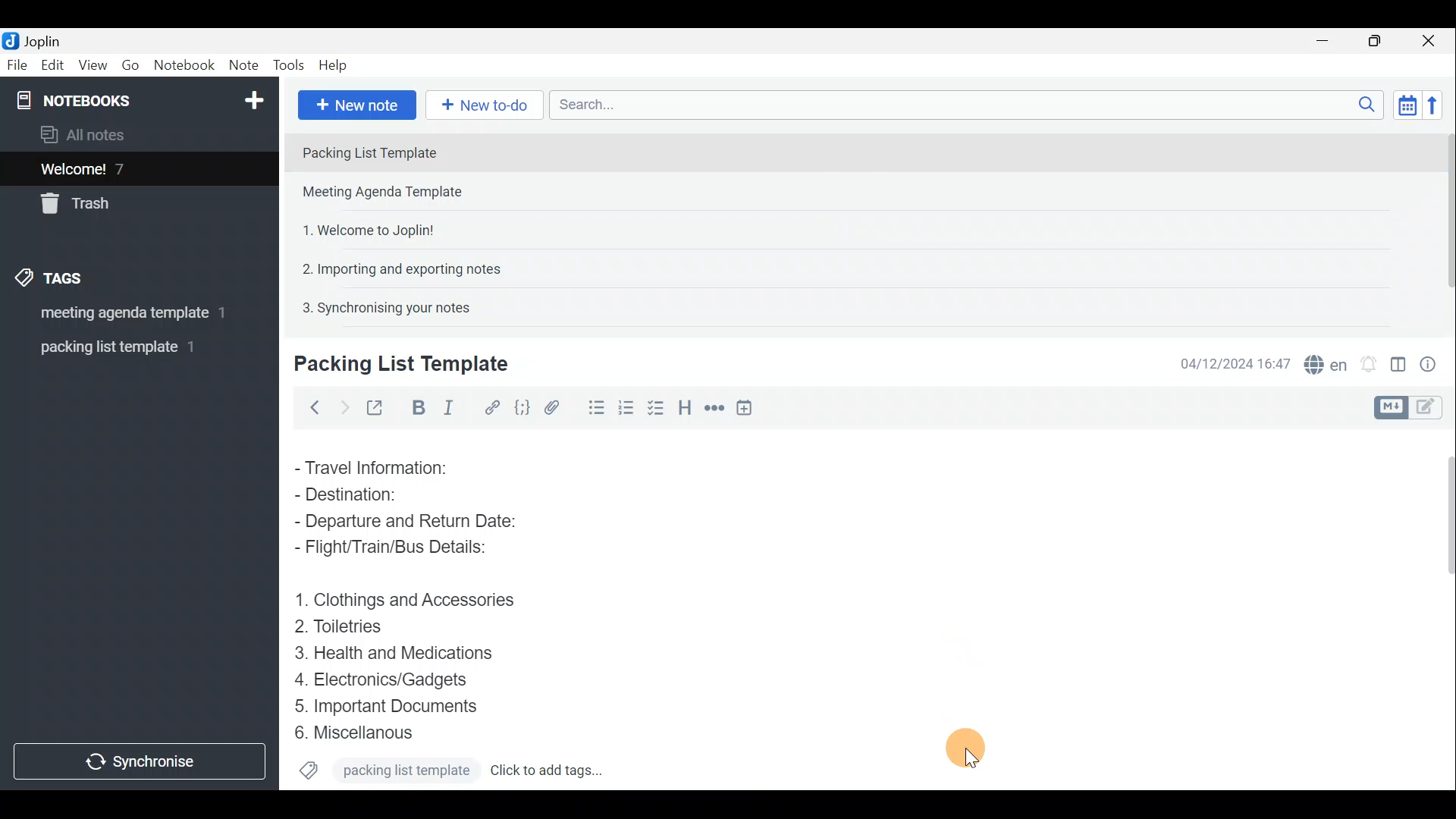  Describe the element at coordinates (626, 405) in the screenshot. I see `Checkbox` at that location.